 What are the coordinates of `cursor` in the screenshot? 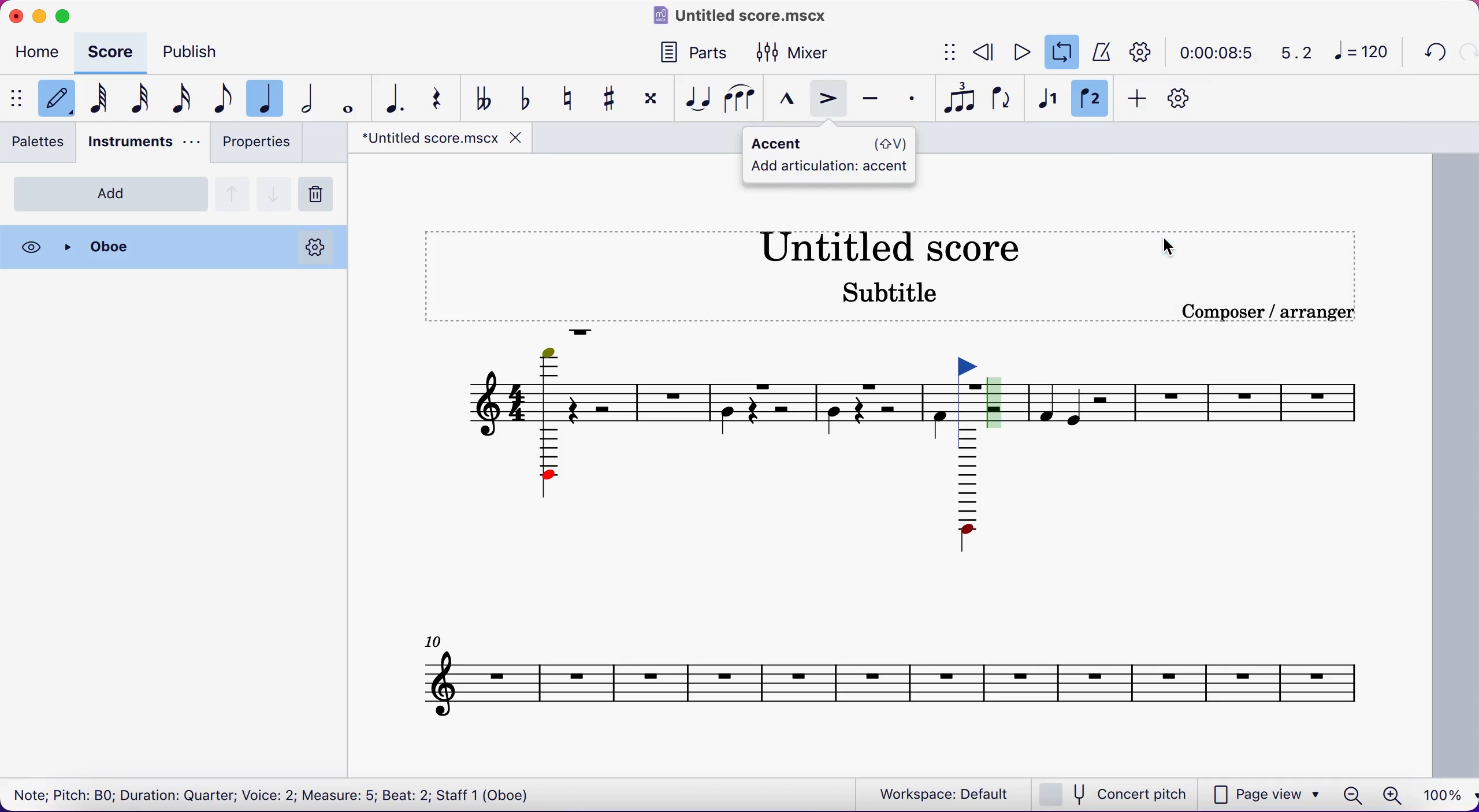 It's located at (1169, 245).